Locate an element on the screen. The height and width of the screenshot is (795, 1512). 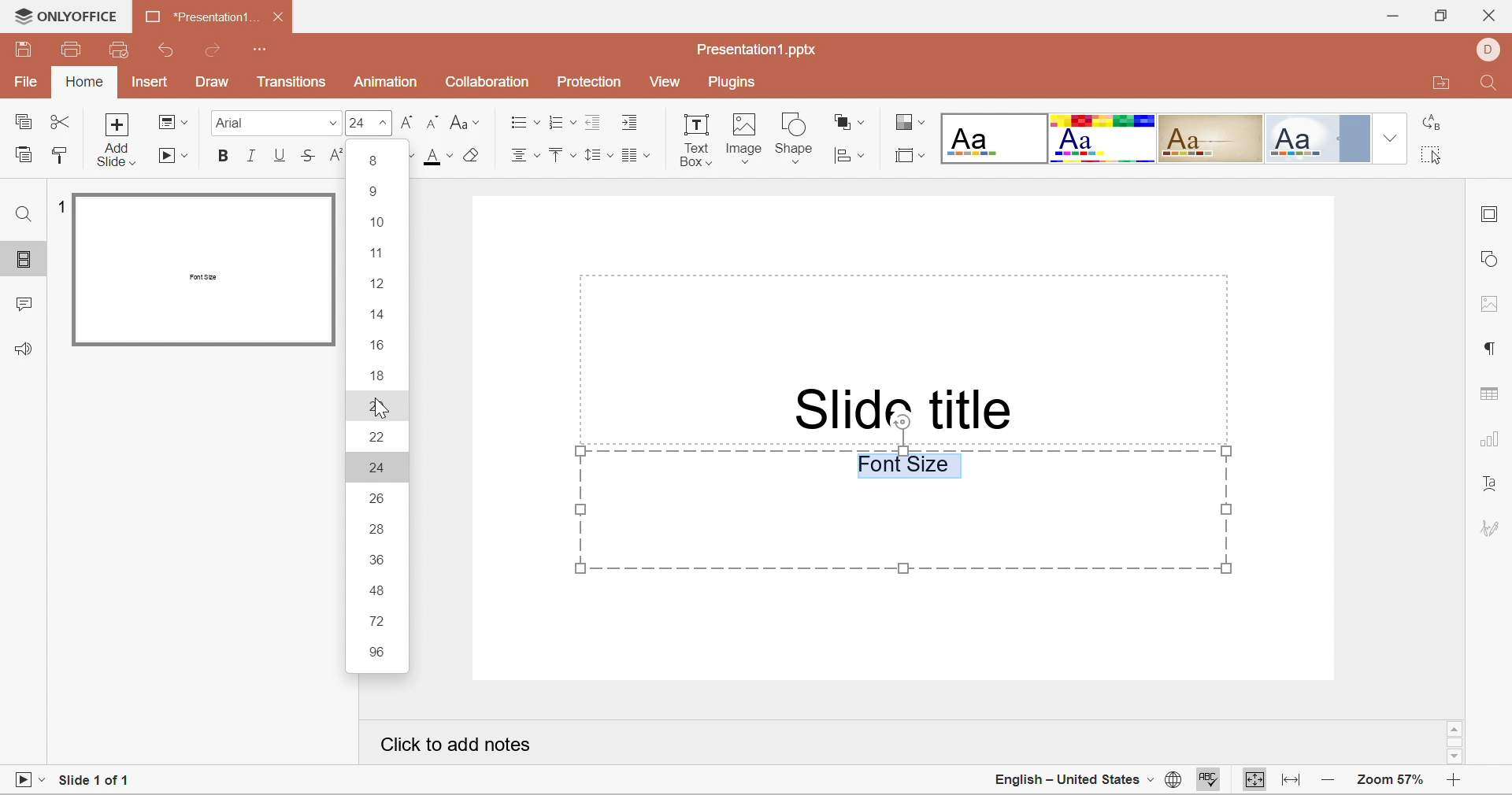
slide settings is located at coordinates (1491, 217).